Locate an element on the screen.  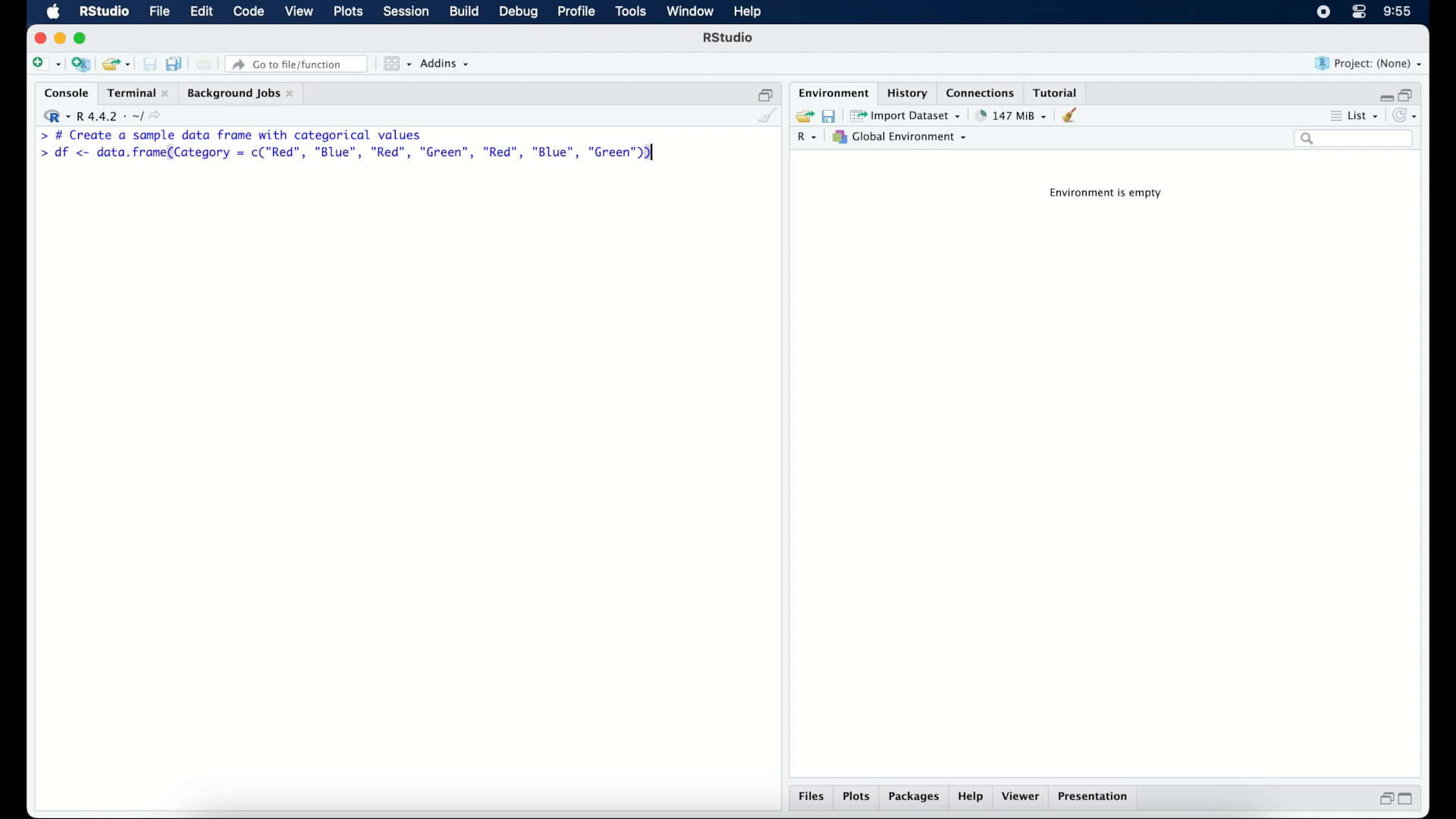
minimize is located at coordinates (1383, 95).